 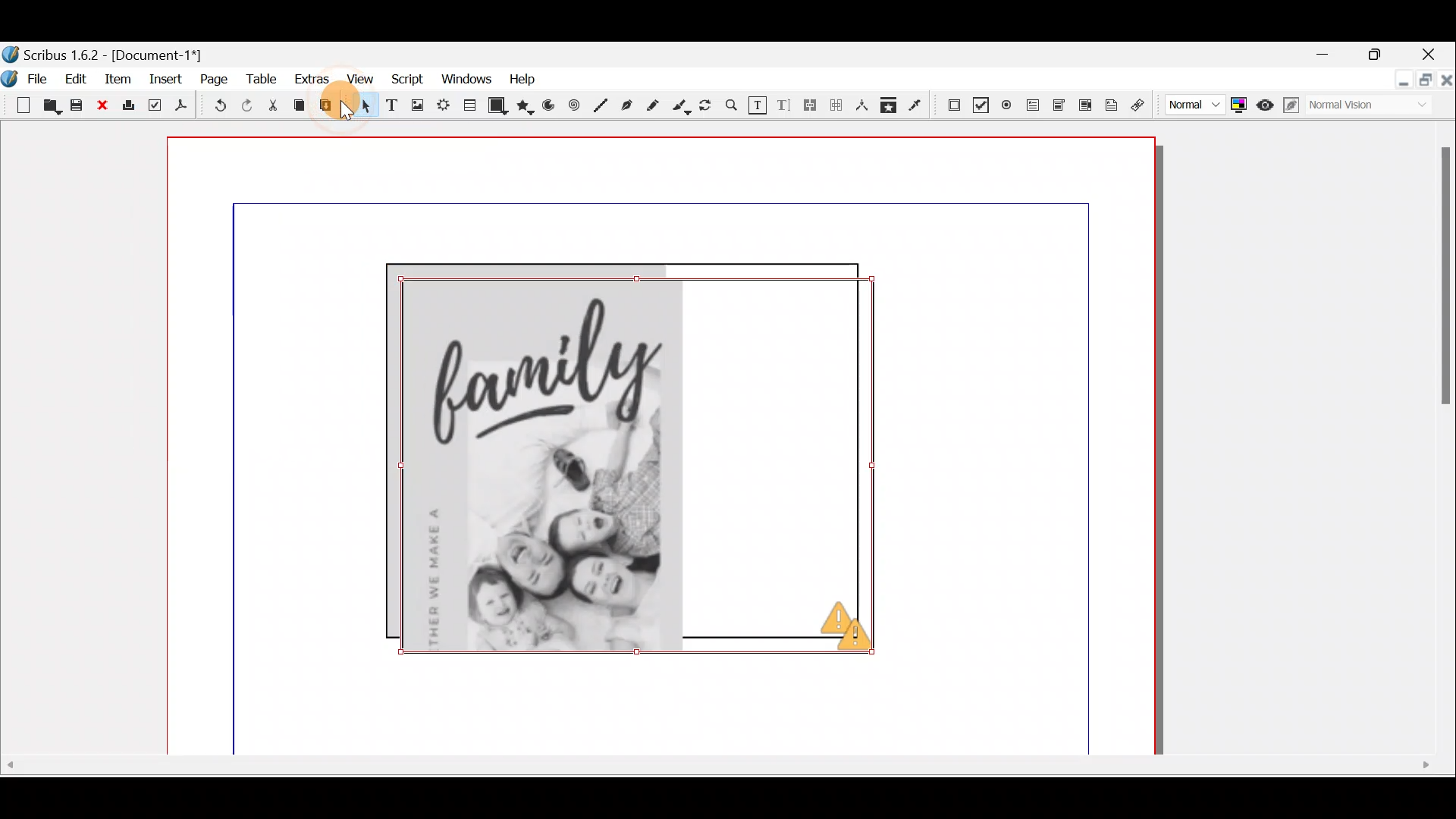 I want to click on Insert, so click(x=168, y=82).